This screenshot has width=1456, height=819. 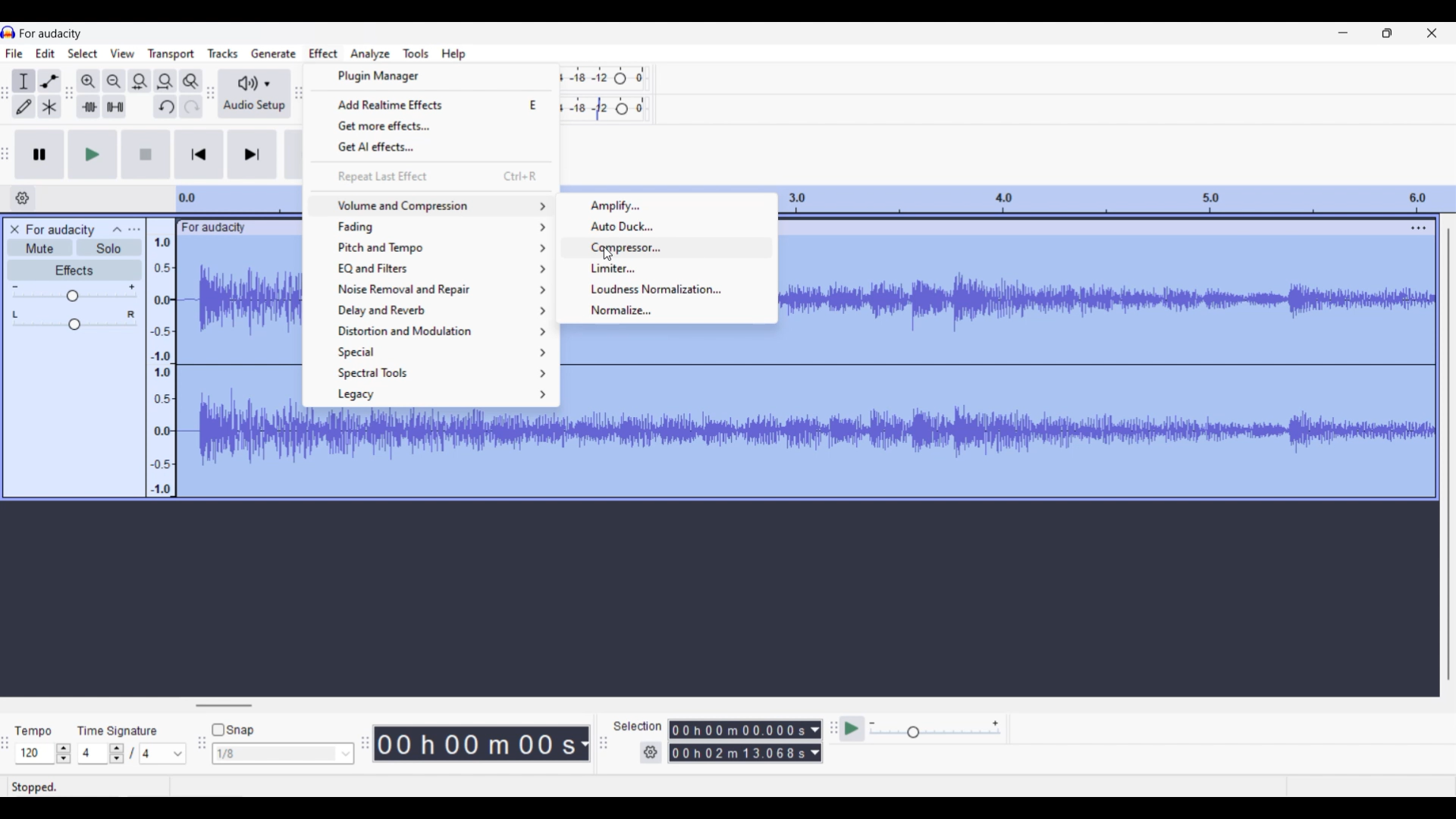 I want to click on Zoom in, so click(x=89, y=81).